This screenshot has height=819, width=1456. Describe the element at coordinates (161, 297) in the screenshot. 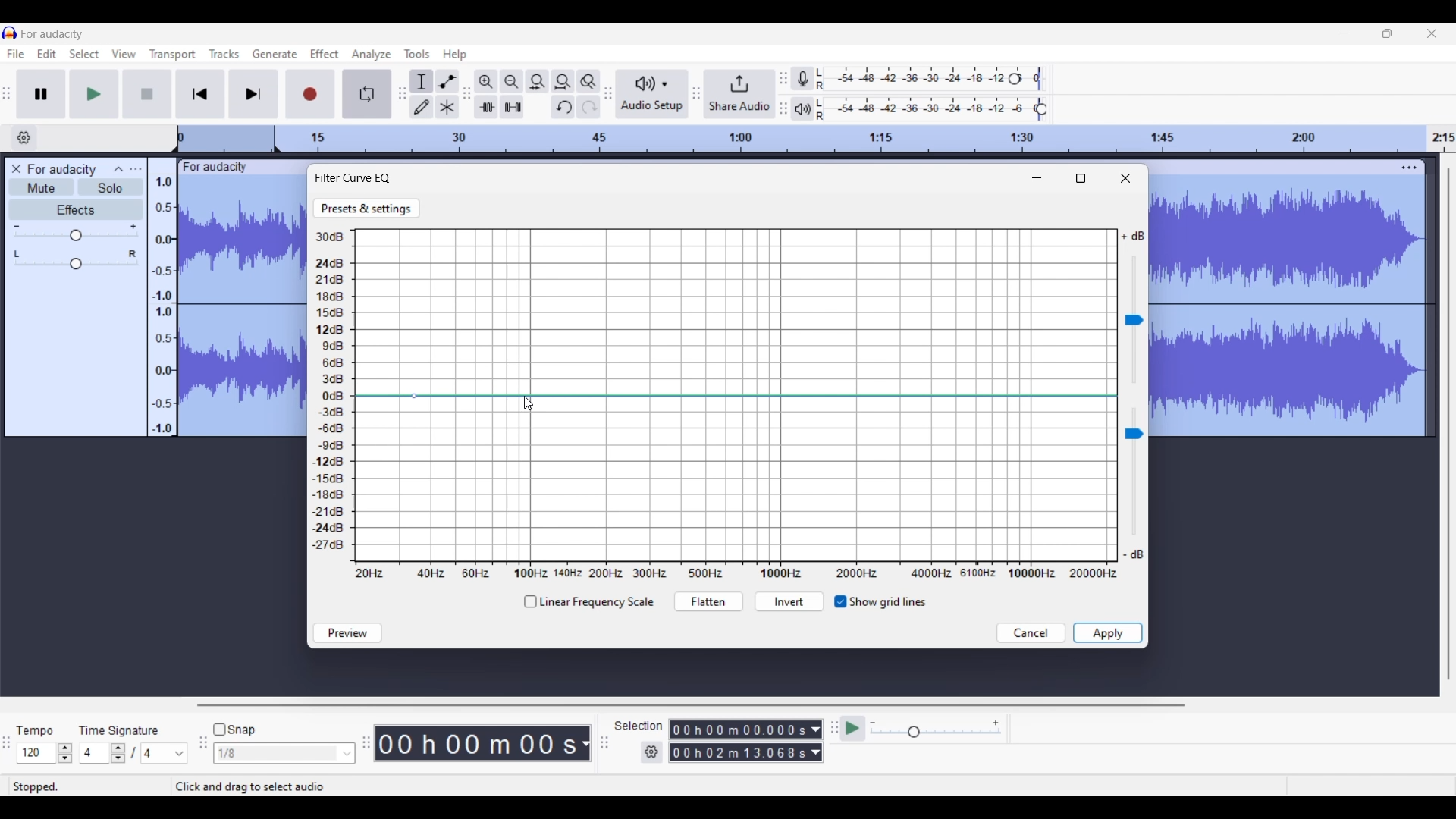

I see `Scale to measure audio` at that location.